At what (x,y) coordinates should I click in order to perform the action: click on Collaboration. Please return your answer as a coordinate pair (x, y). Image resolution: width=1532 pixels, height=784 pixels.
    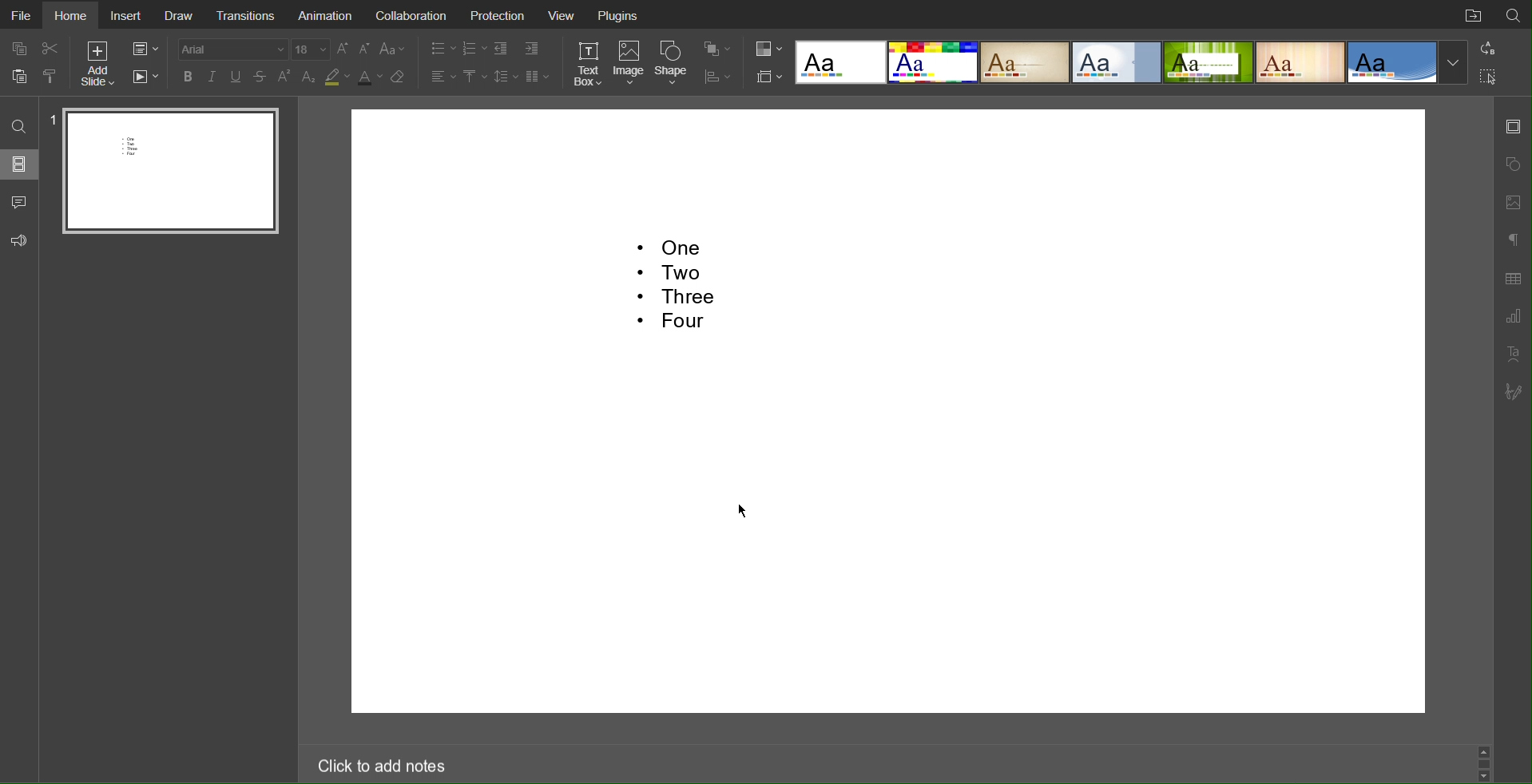
    Looking at the image, I should click on (410, 14).